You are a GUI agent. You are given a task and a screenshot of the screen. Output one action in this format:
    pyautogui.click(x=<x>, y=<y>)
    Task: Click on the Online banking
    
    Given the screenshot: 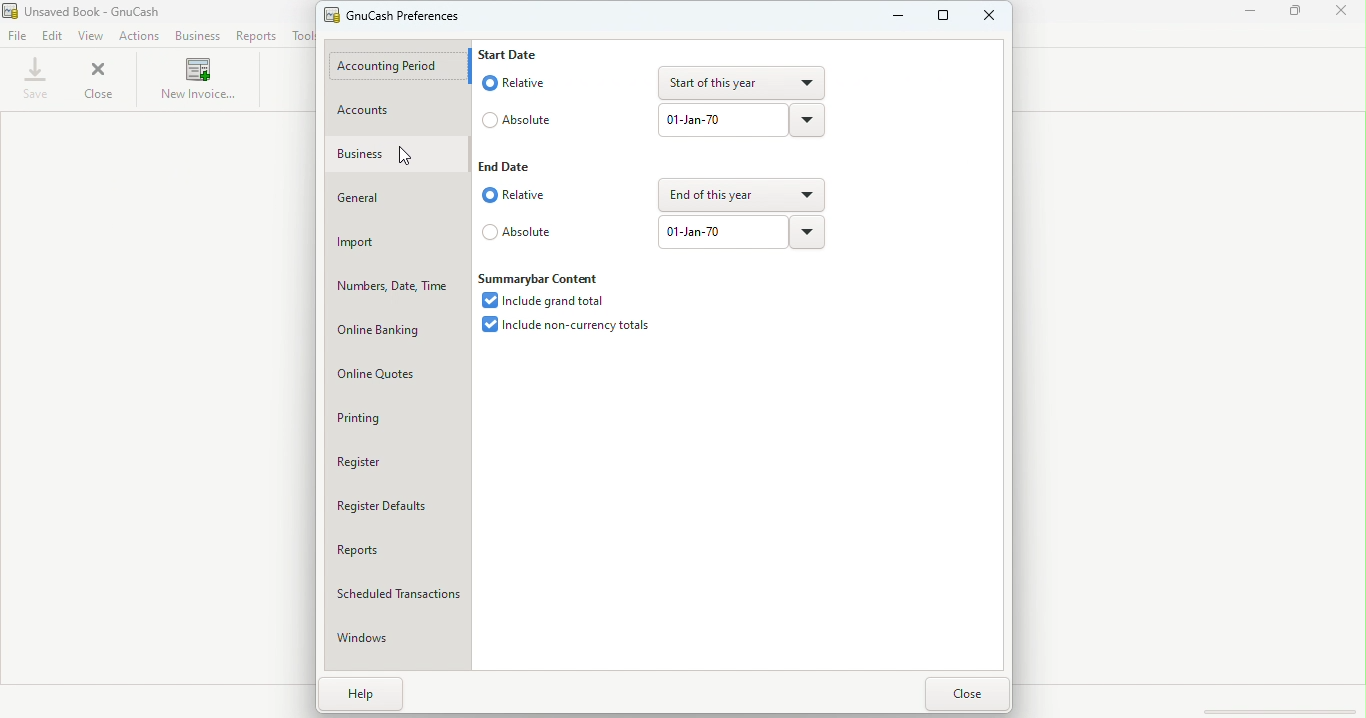 What is the action you would take?
    pyautogui.click(x=394, y=328)
    